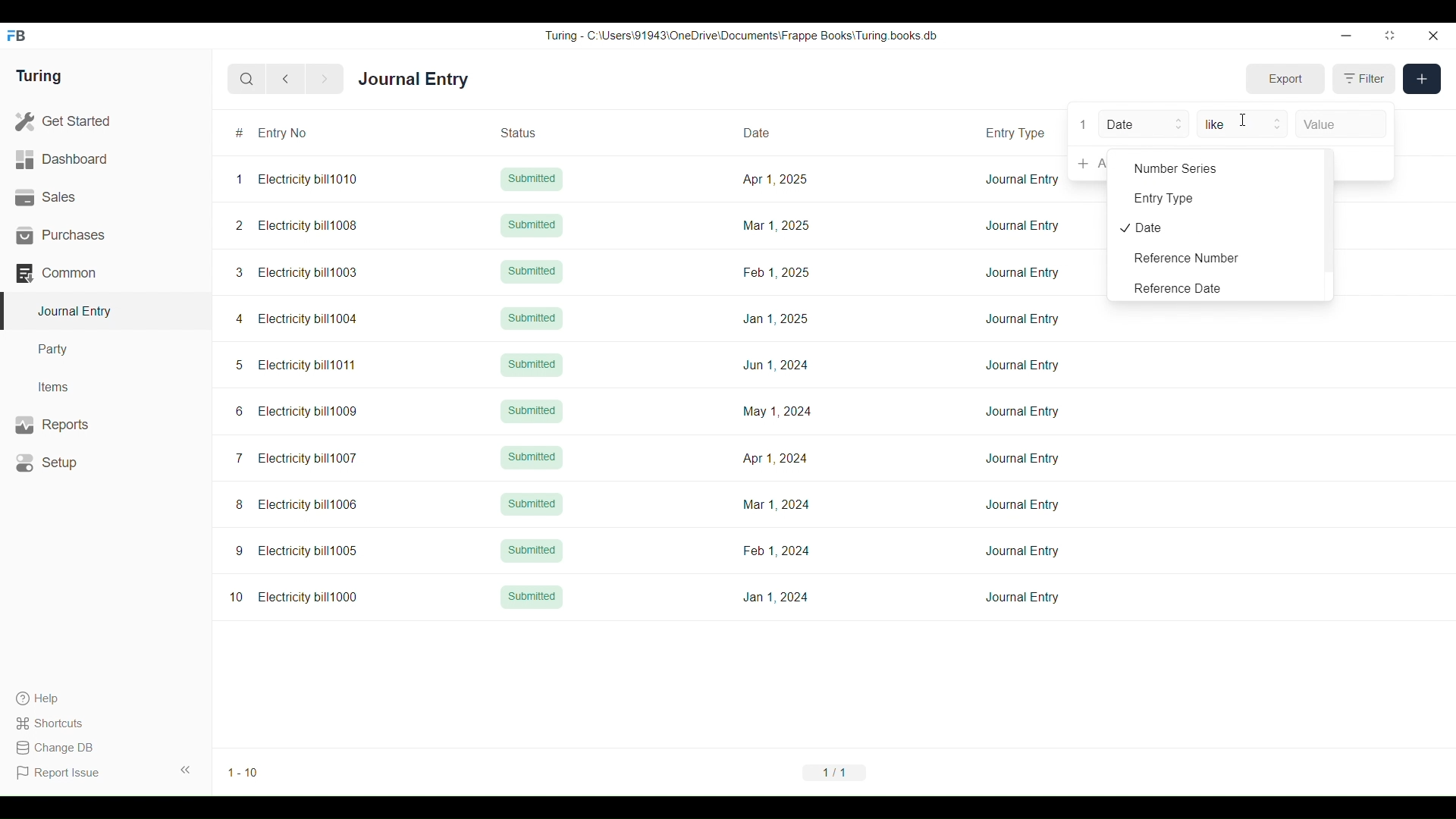 This screenshot has width=1456, height=819. I want to click on Journal Entry, so click(1023, 458).